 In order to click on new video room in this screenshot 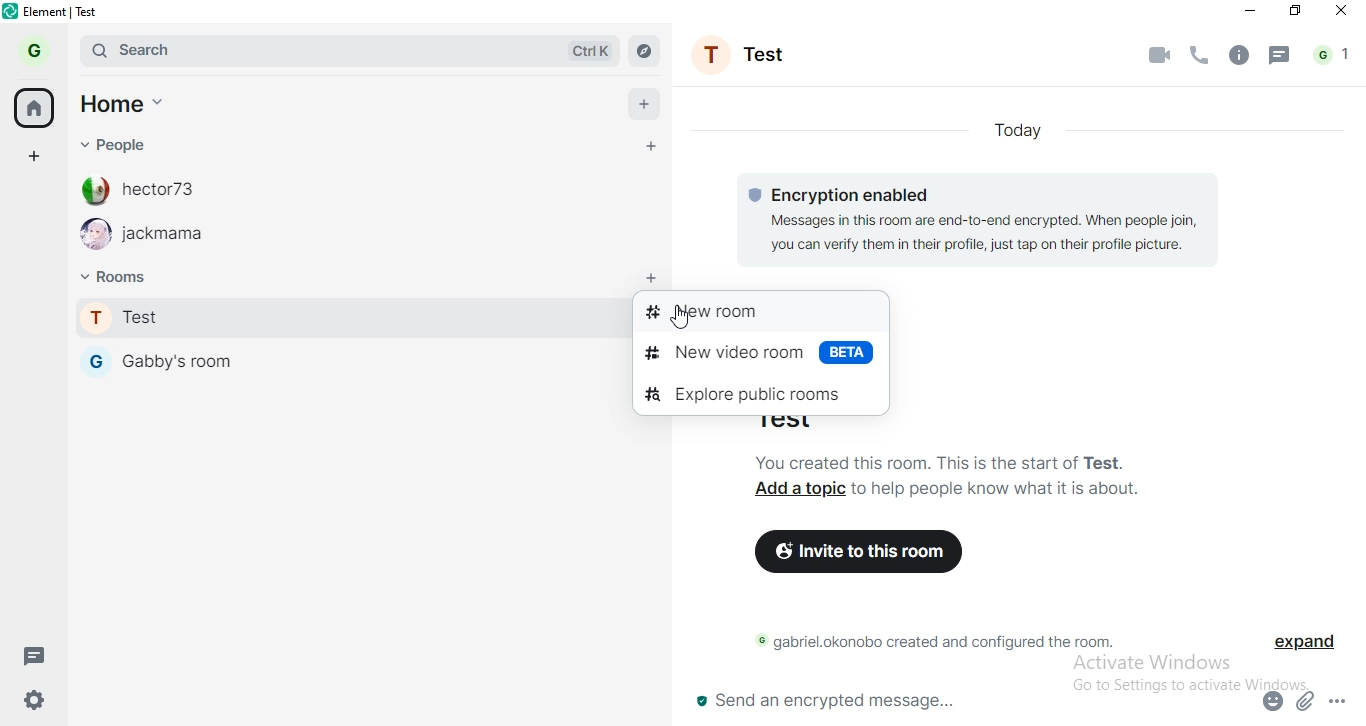, I will do `click(763, 351)`.